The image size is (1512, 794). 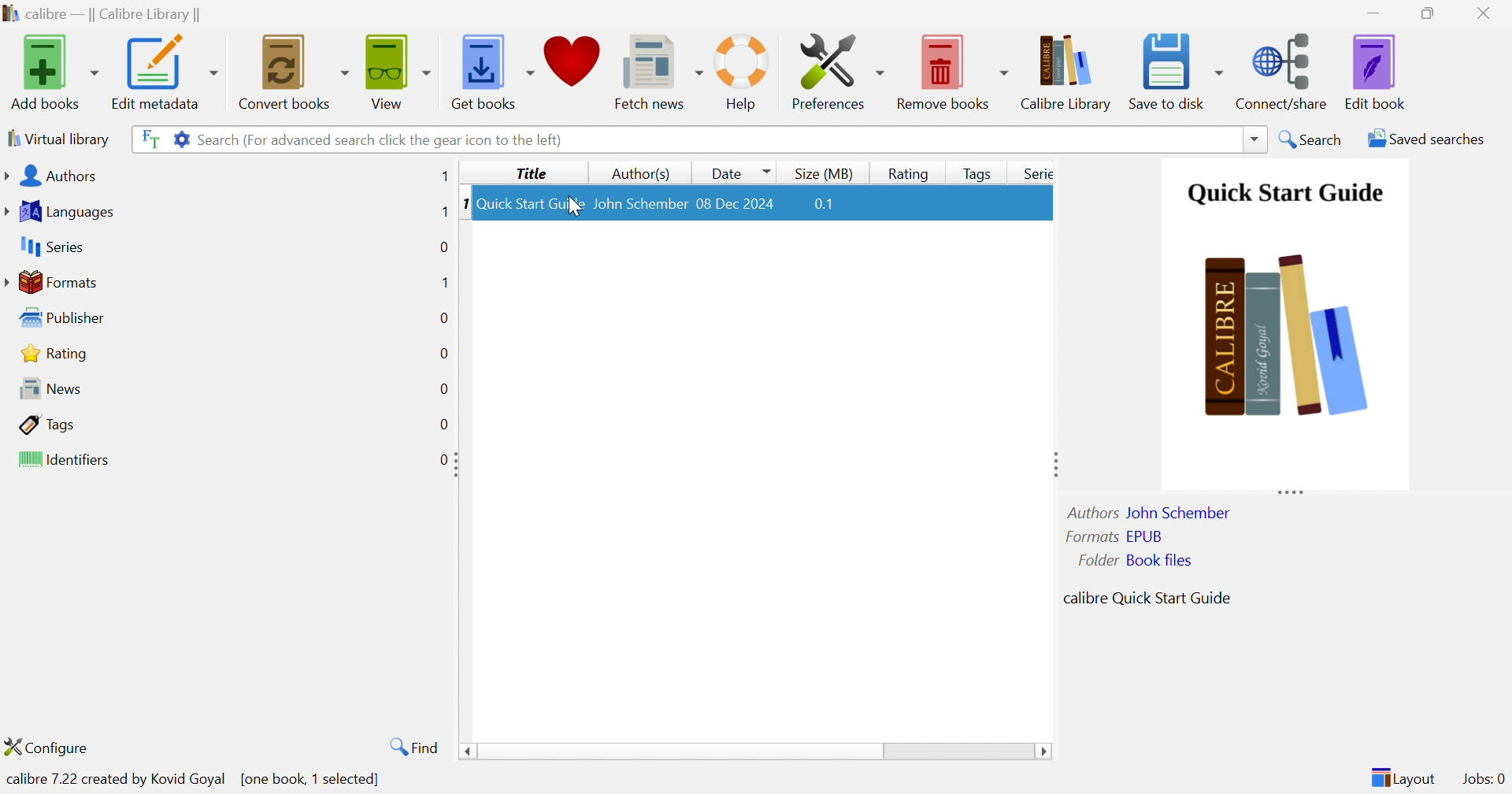 What do you see at coordinates (147, 136) in the screenshot?
I see `Search the full text of all the books in the library, not just their metadata` at bounding box center [147, 136].